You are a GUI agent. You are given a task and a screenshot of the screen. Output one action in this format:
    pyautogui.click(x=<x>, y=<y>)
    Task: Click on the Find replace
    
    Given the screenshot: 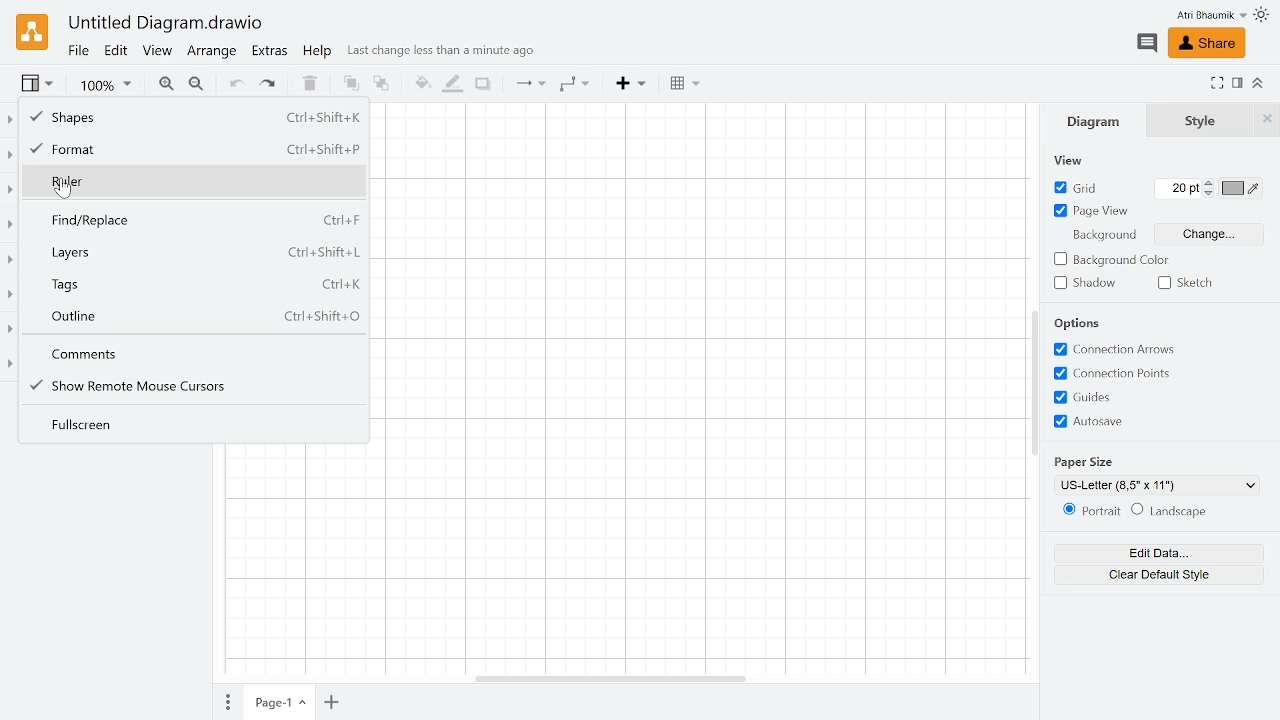 What is the action you would take?
    pyautogui.click(x=184, y=218)
    